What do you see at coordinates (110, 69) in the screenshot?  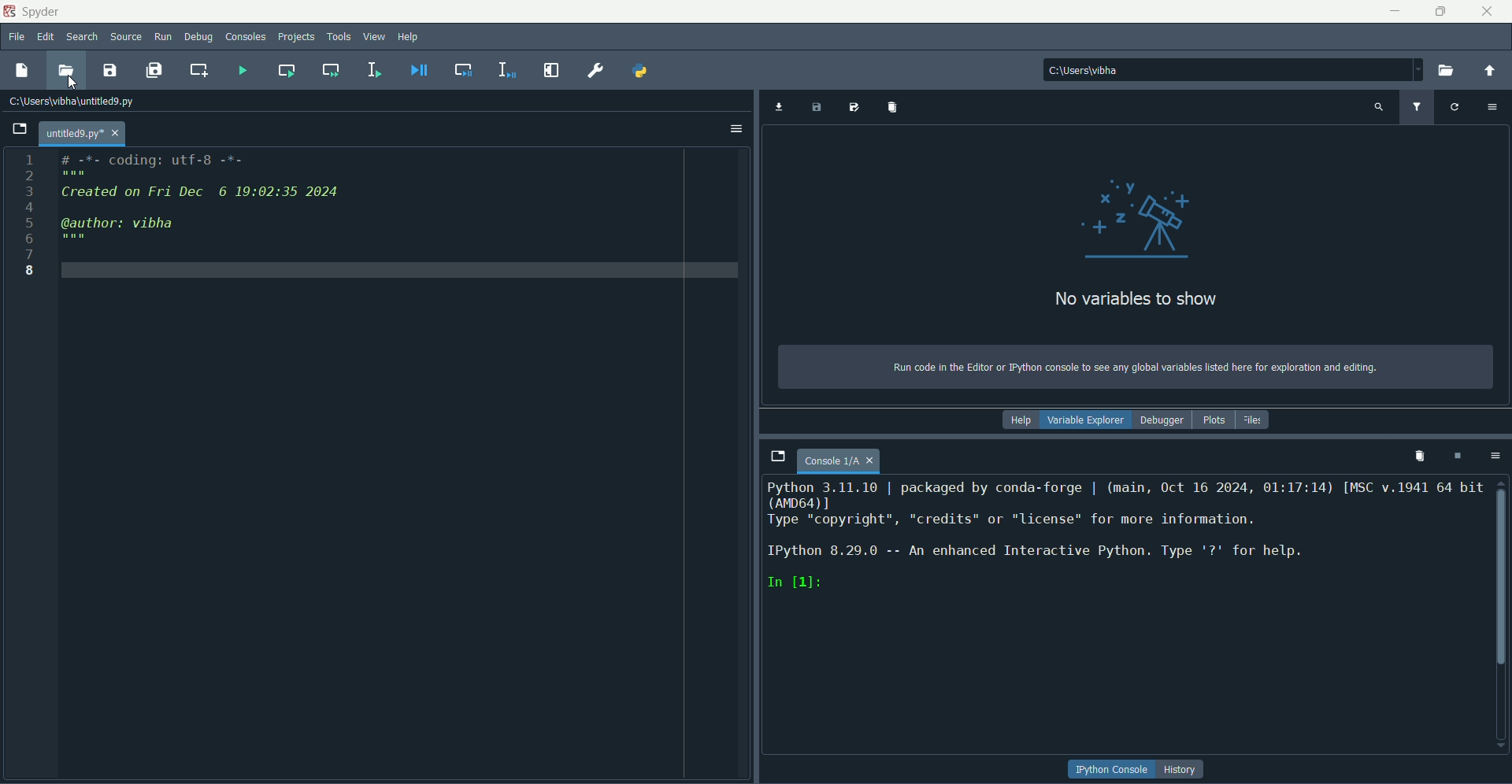 I see `save` at bounding box center [110, 69].